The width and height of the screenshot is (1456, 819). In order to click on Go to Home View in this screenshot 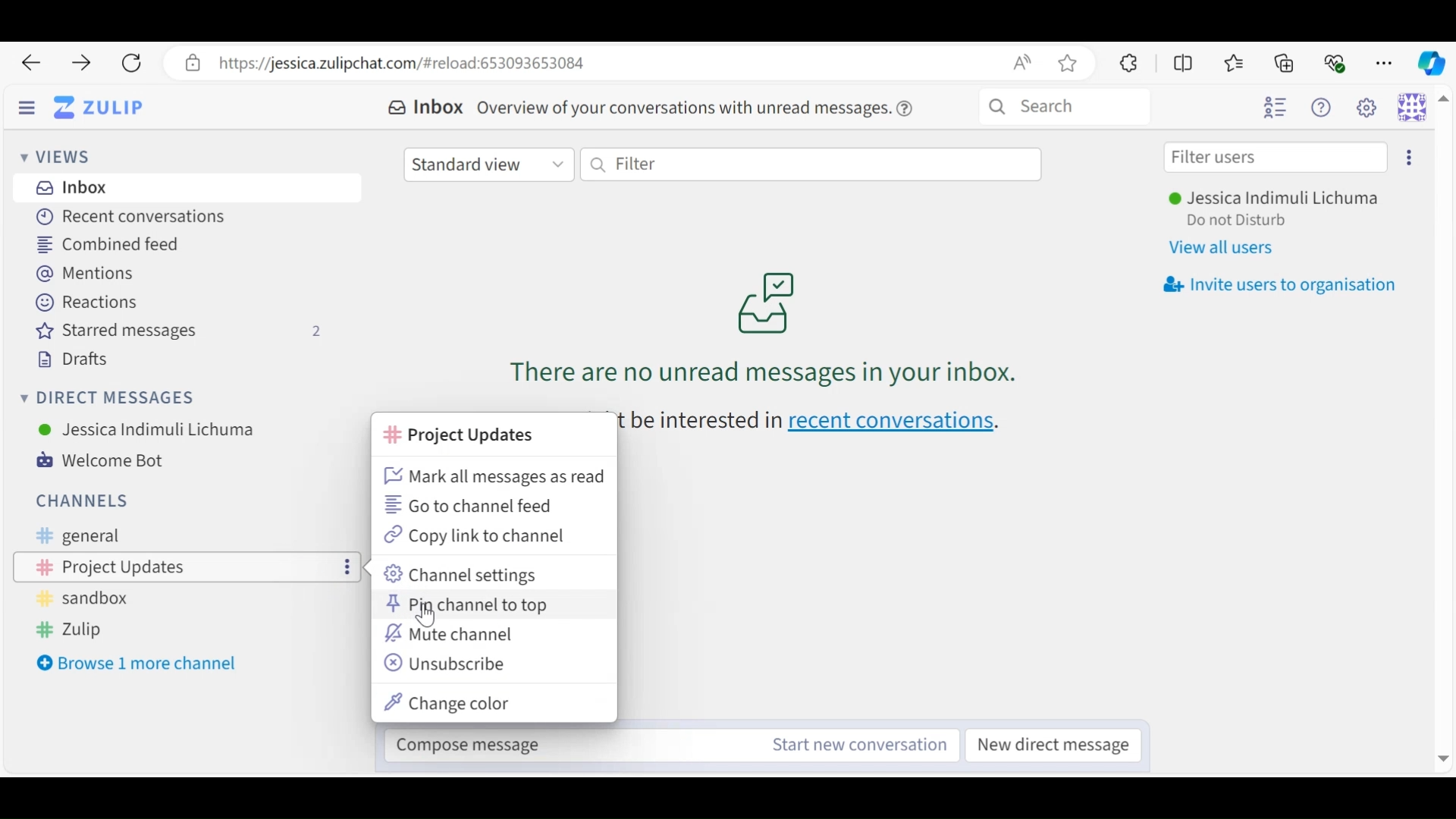, I will do `click(98, 108)`.